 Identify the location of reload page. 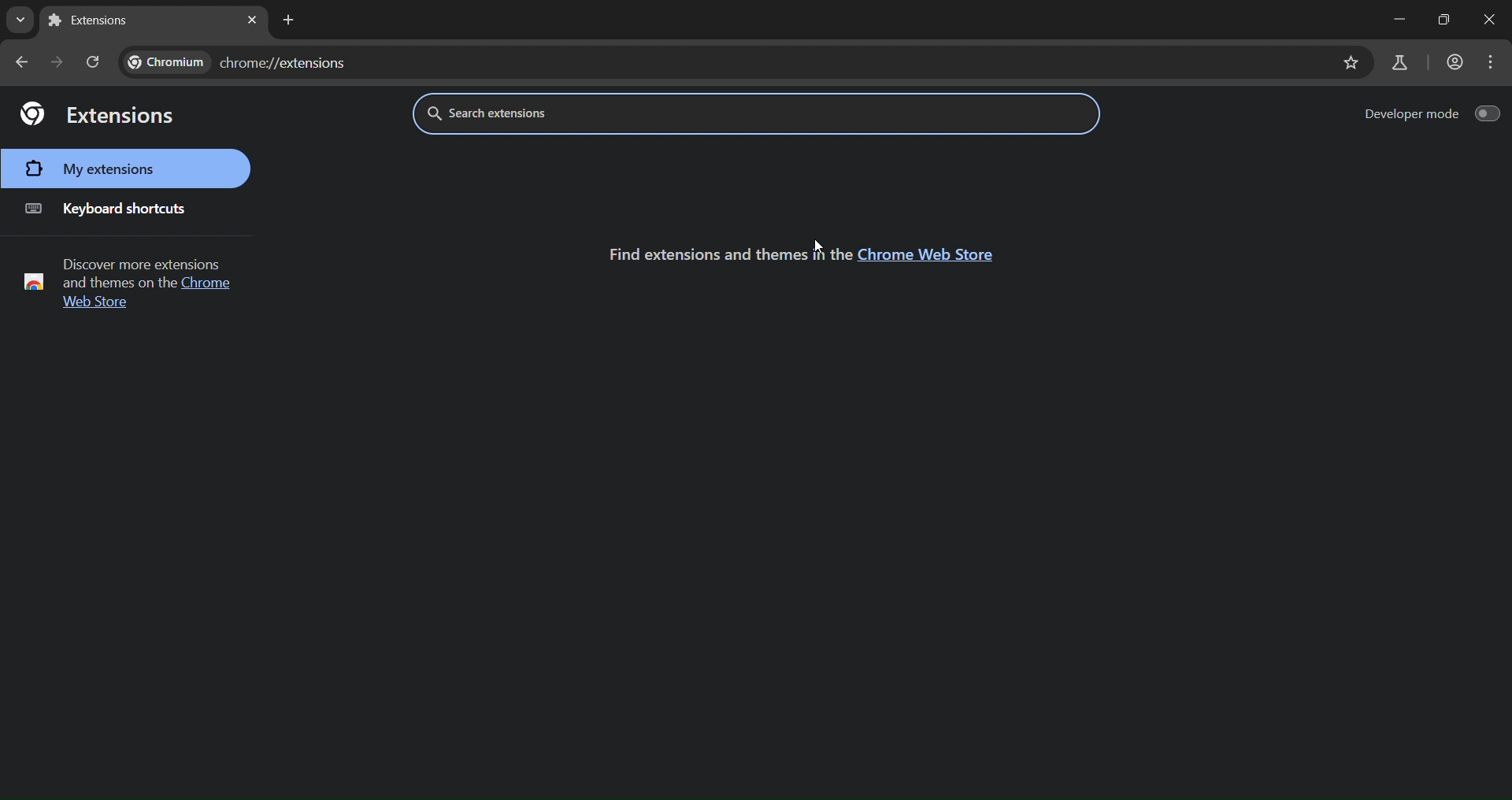
(95, 63).